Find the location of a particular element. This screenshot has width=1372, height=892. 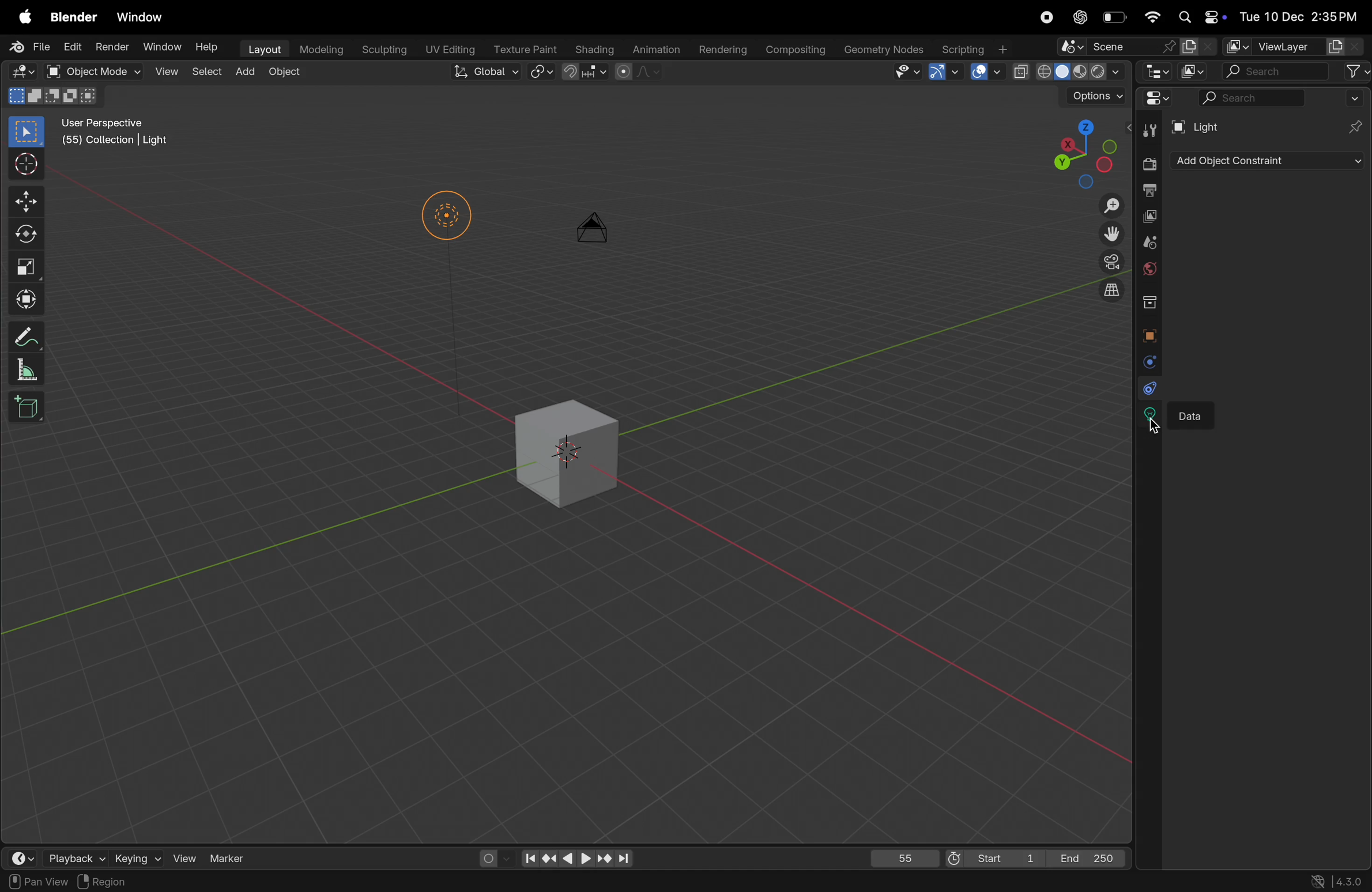

marker is located at coordinates (228, 857).